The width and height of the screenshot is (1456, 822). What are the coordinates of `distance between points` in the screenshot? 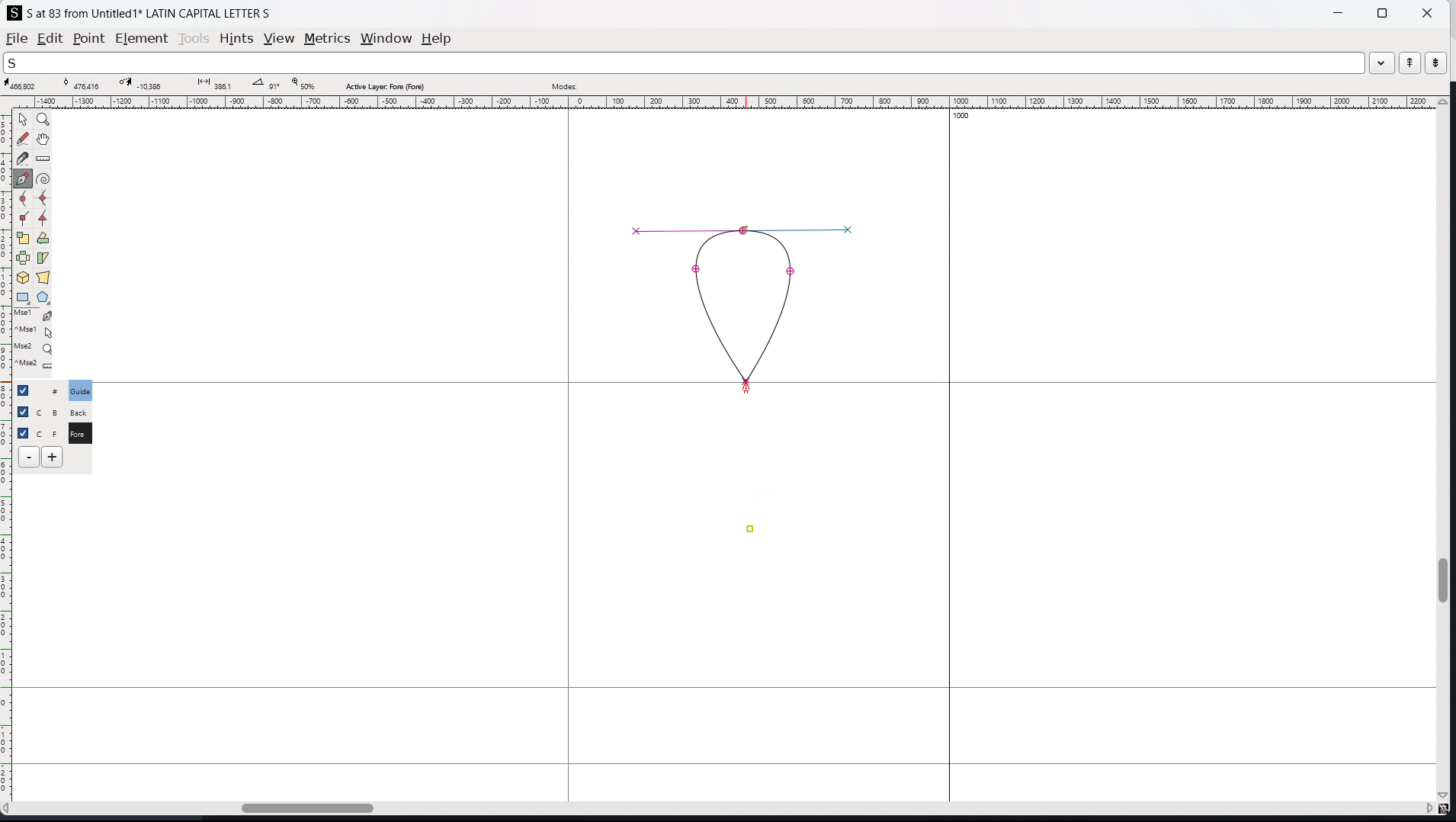 It's located at (213, 83).